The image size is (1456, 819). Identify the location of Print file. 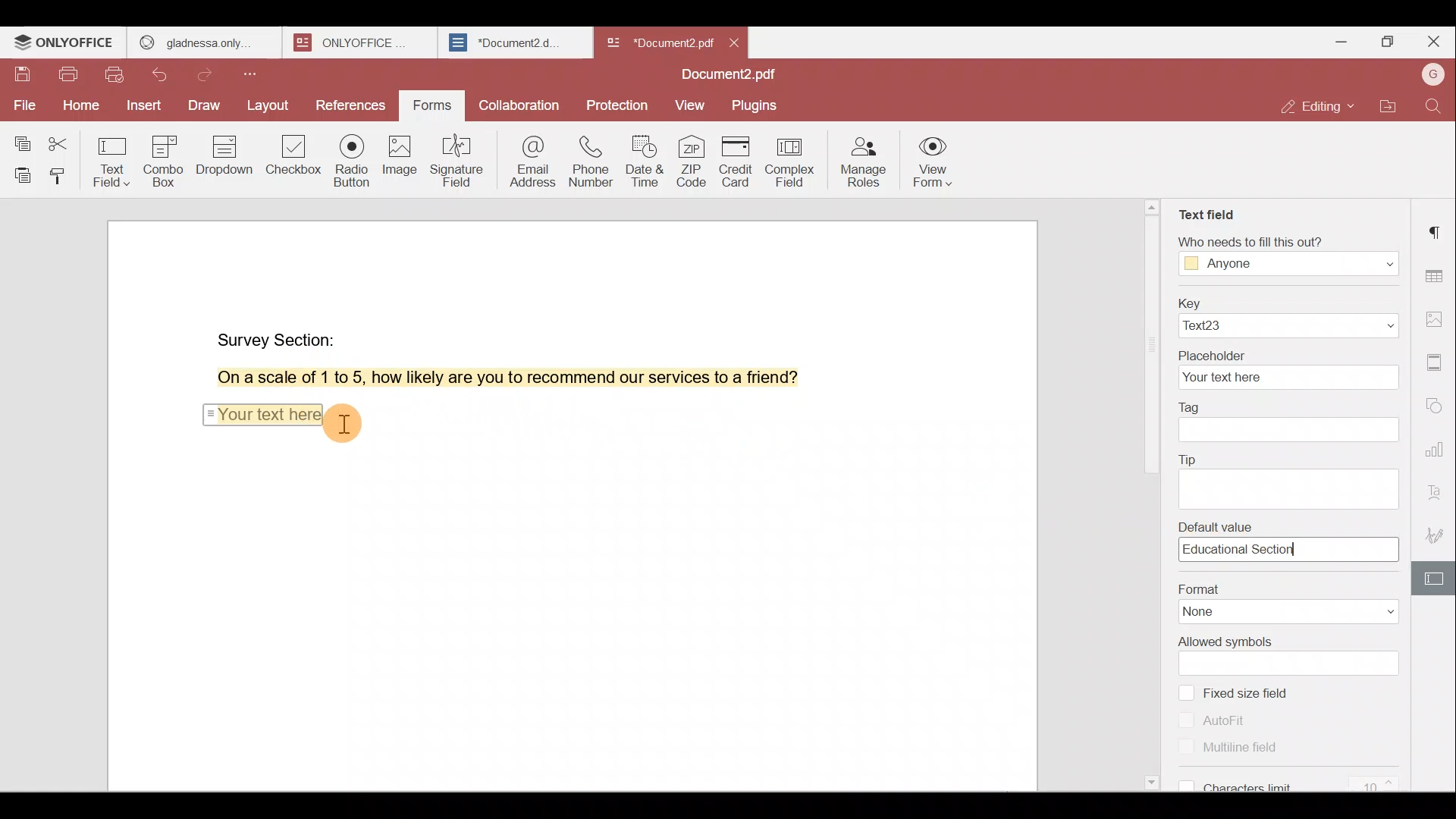
(67, 77).